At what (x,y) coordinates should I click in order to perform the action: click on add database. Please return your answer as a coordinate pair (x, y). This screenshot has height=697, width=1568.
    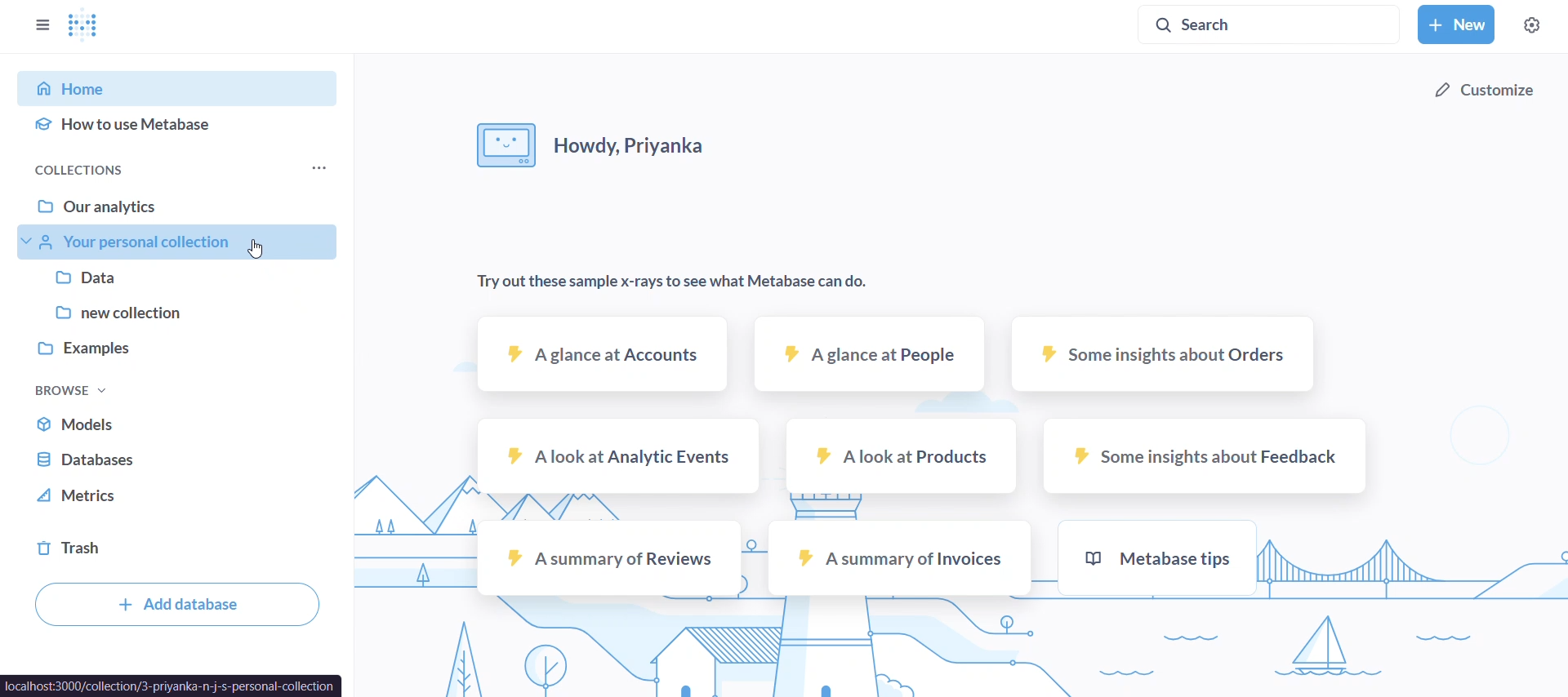
    Looking at the image, I should click on (176, 604).